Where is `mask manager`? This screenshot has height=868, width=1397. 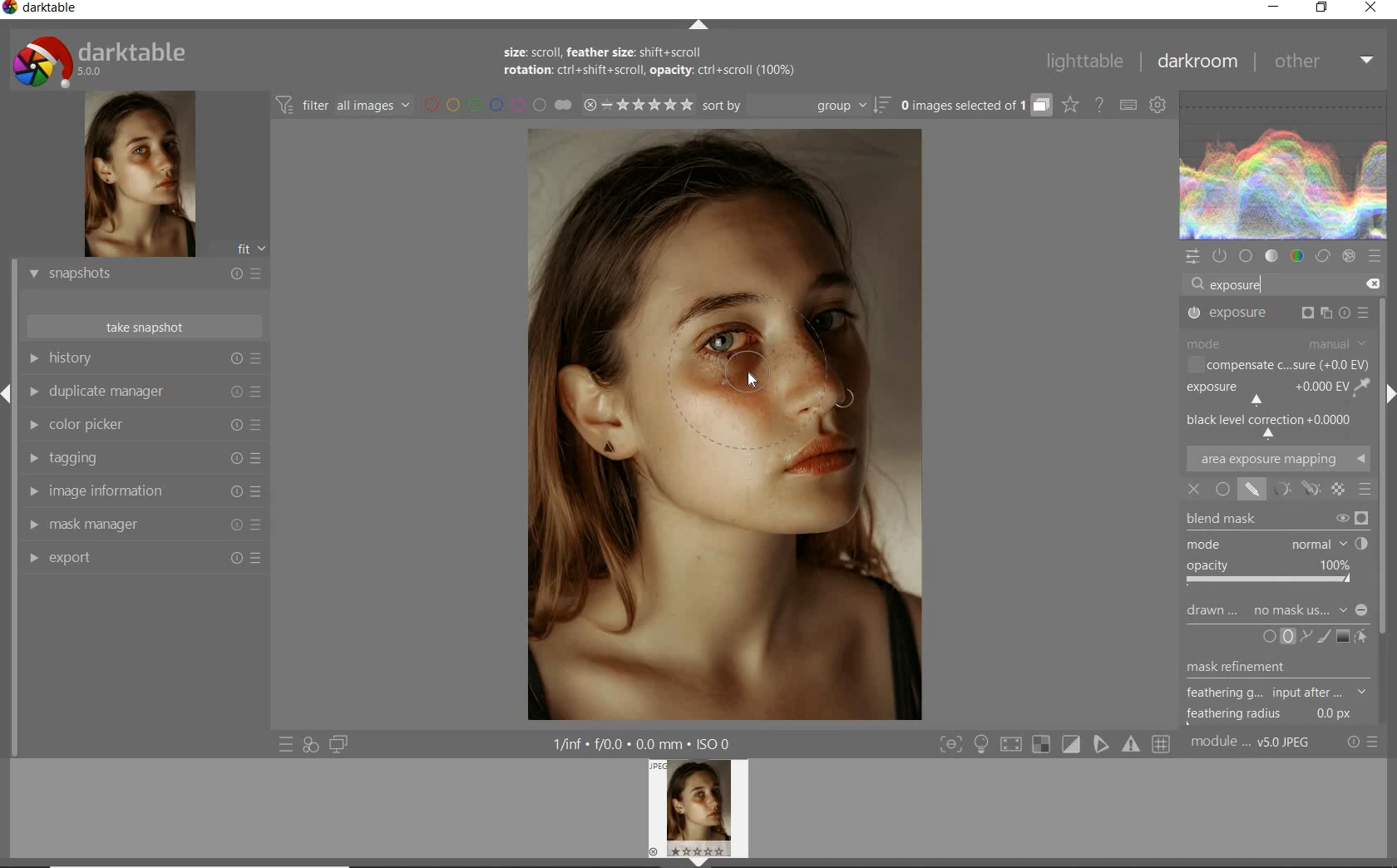 mask manager is located at coordinates (147, 525).